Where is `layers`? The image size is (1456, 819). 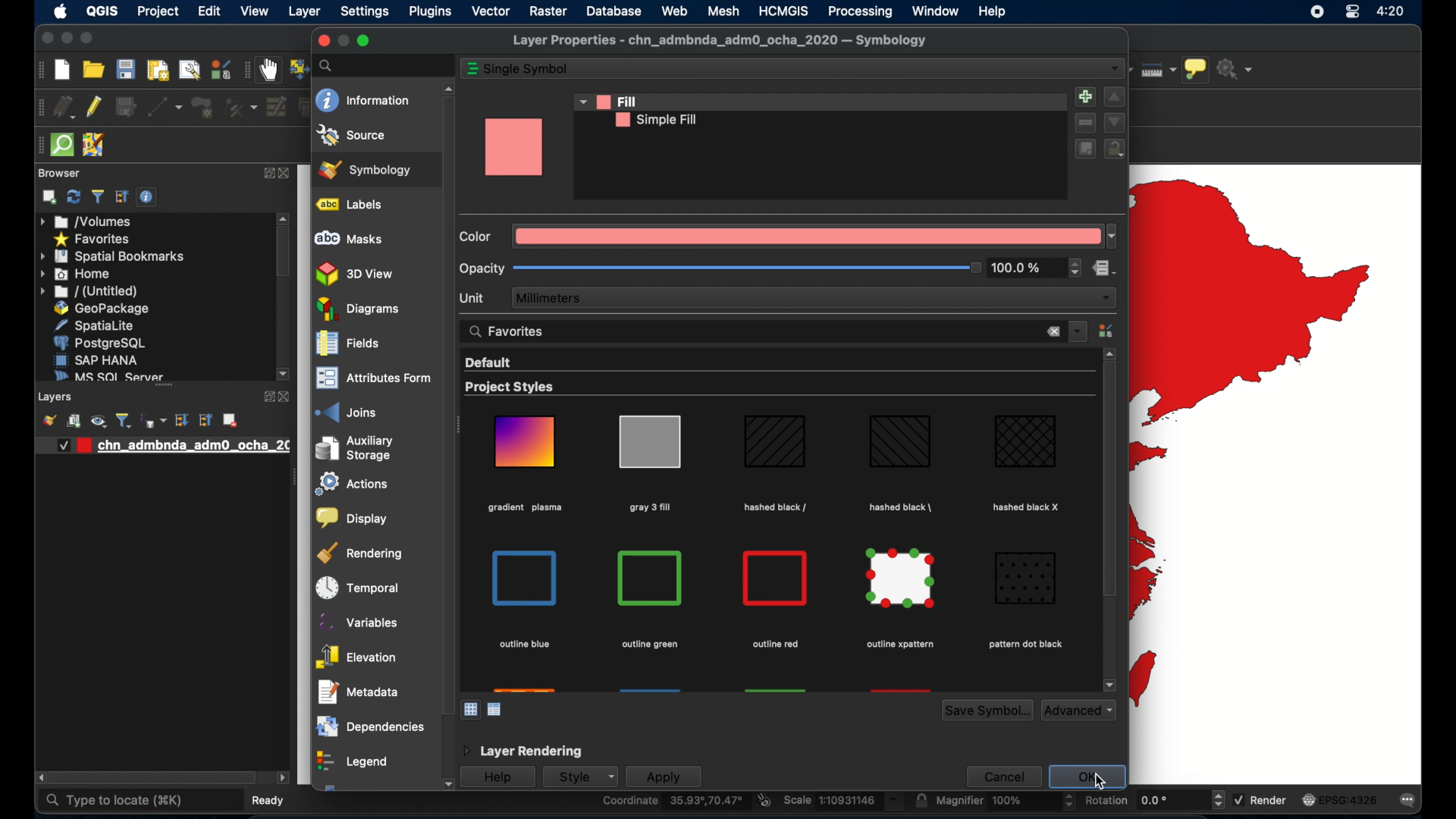 layers is located at coordinates (164, 389).